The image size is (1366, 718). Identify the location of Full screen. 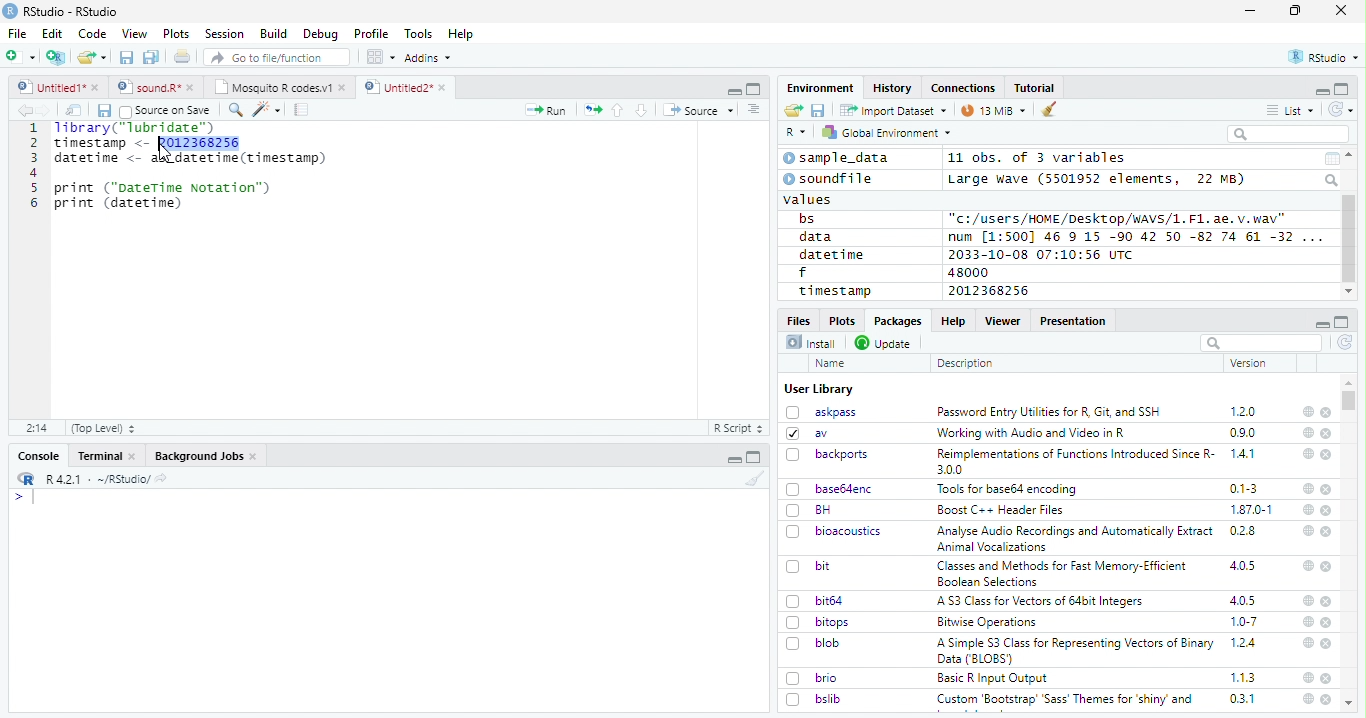
(754, 457).